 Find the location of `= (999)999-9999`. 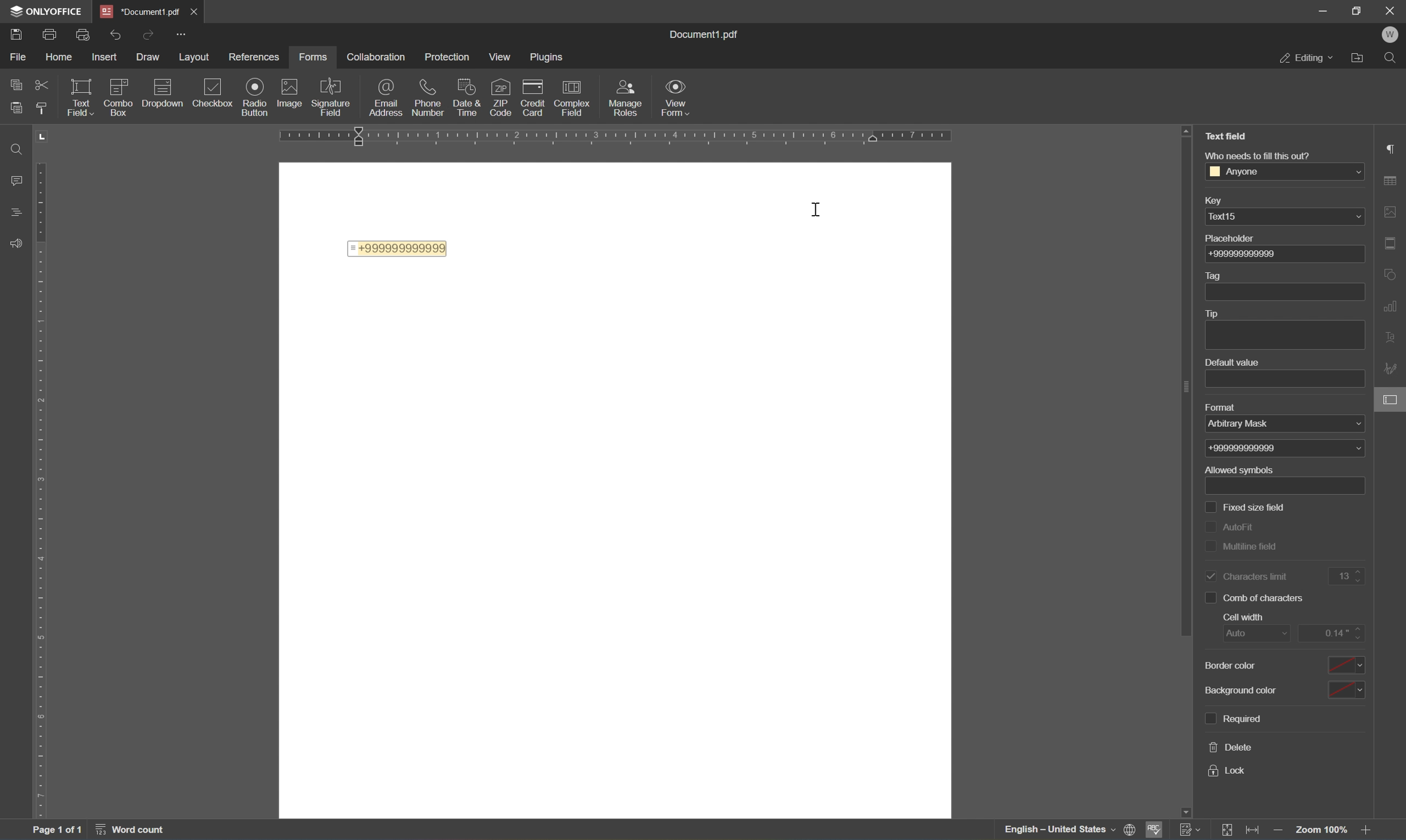

= (999)999-9999 is located at coordinates (394, 248).